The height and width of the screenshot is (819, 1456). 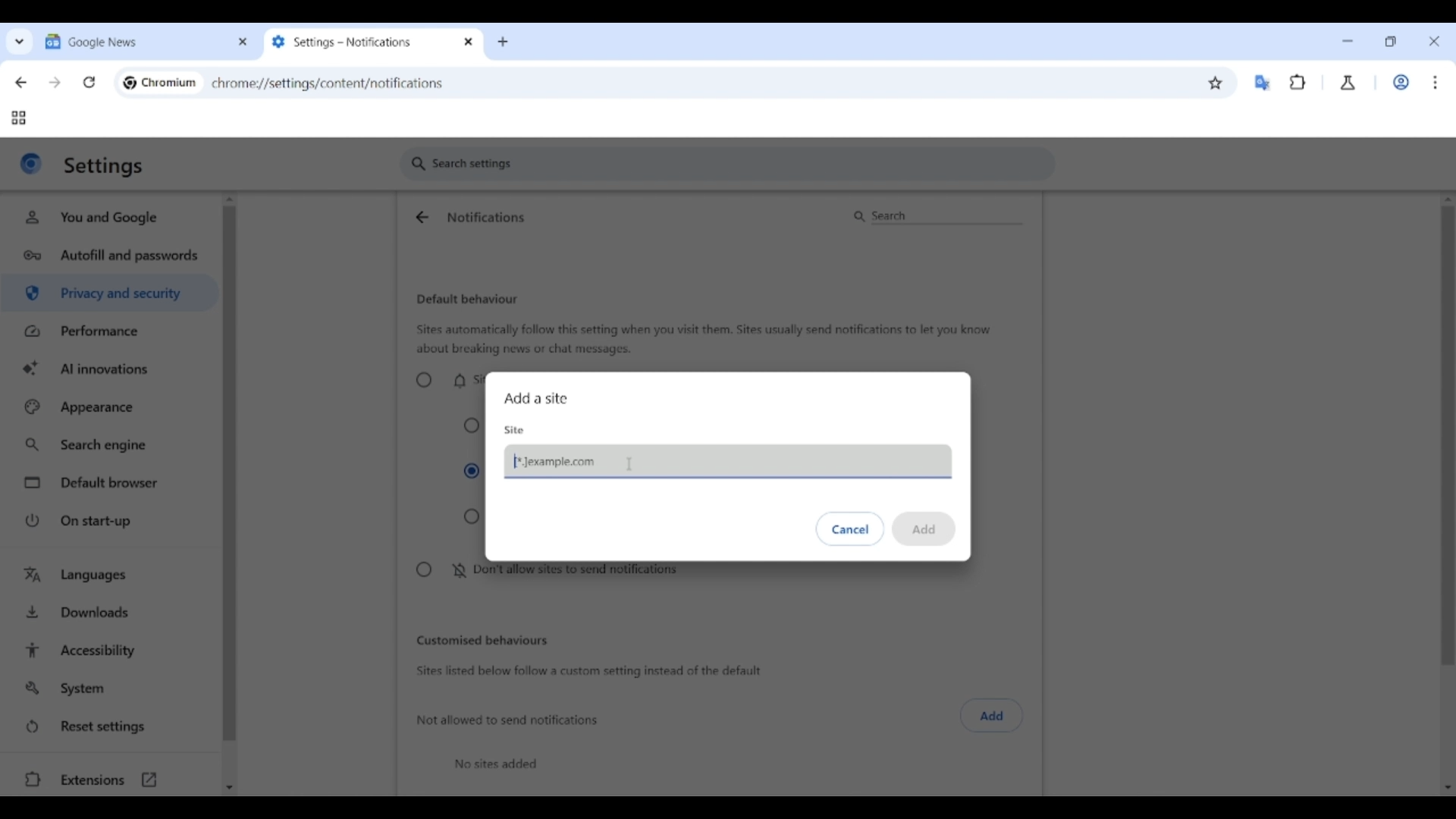 I want to click on Chromium logo, so click(x=130, y=83).